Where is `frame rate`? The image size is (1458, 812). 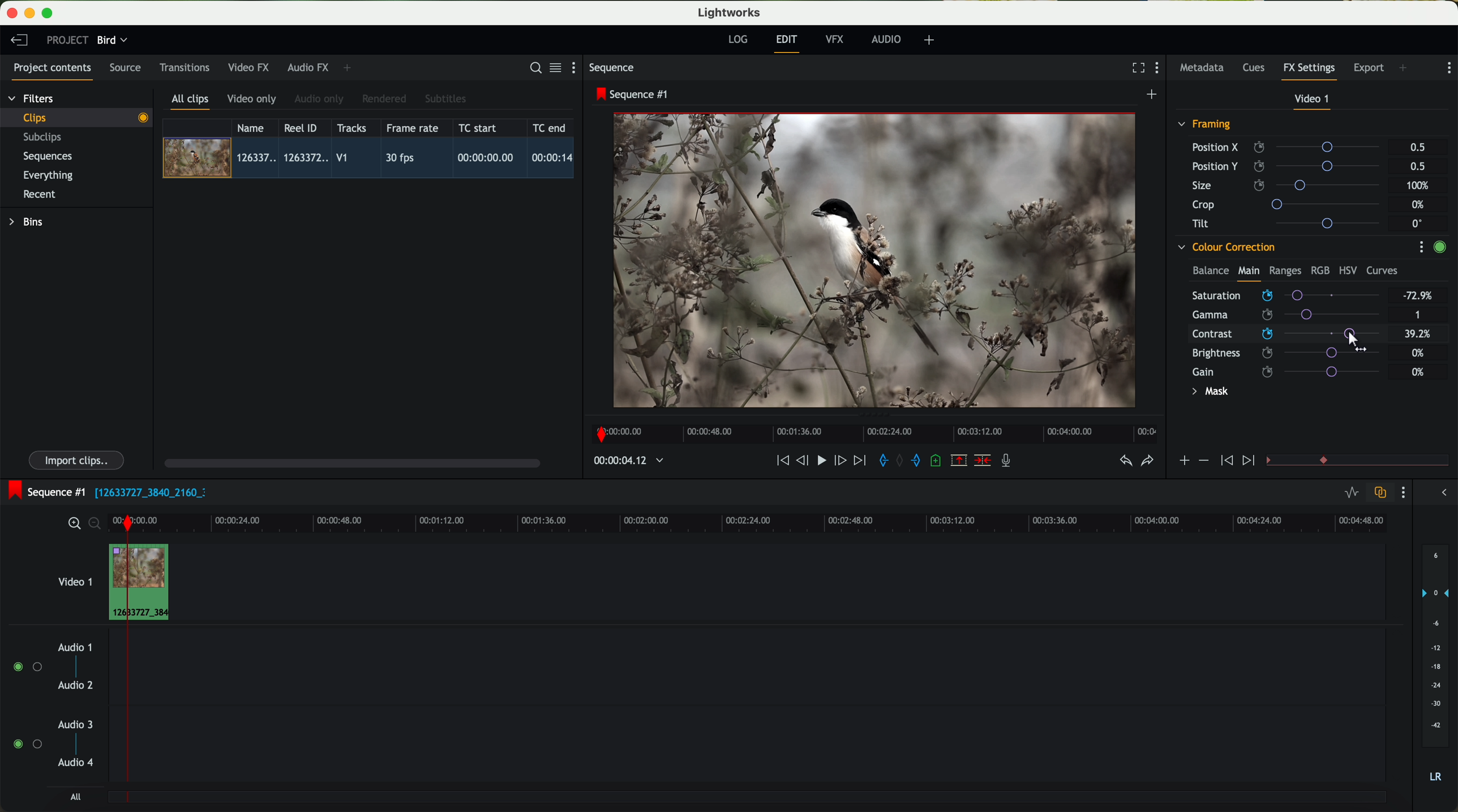
frame rate is located at coordinates (413, 128).